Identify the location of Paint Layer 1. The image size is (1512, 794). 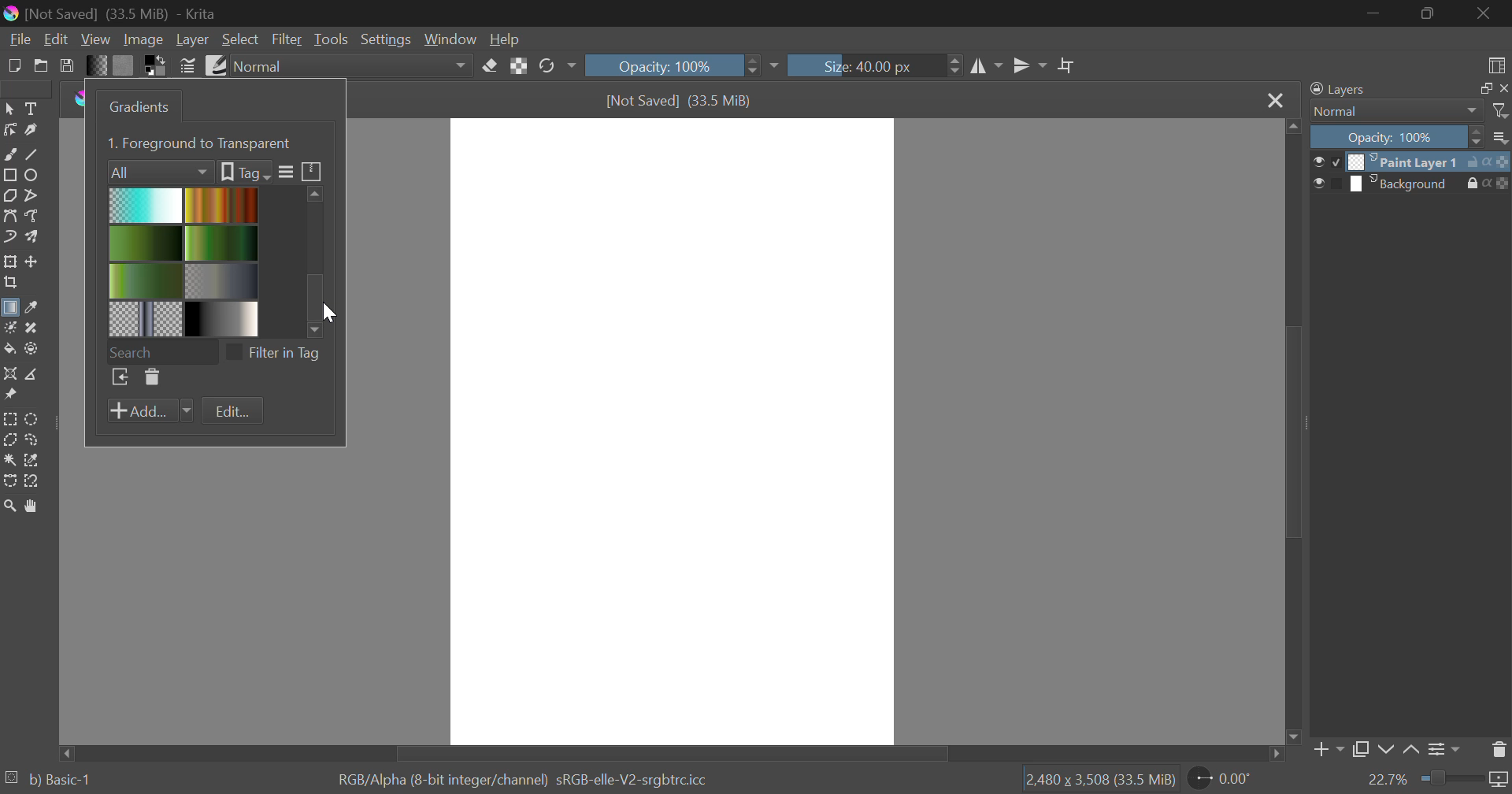
(1406, 160).